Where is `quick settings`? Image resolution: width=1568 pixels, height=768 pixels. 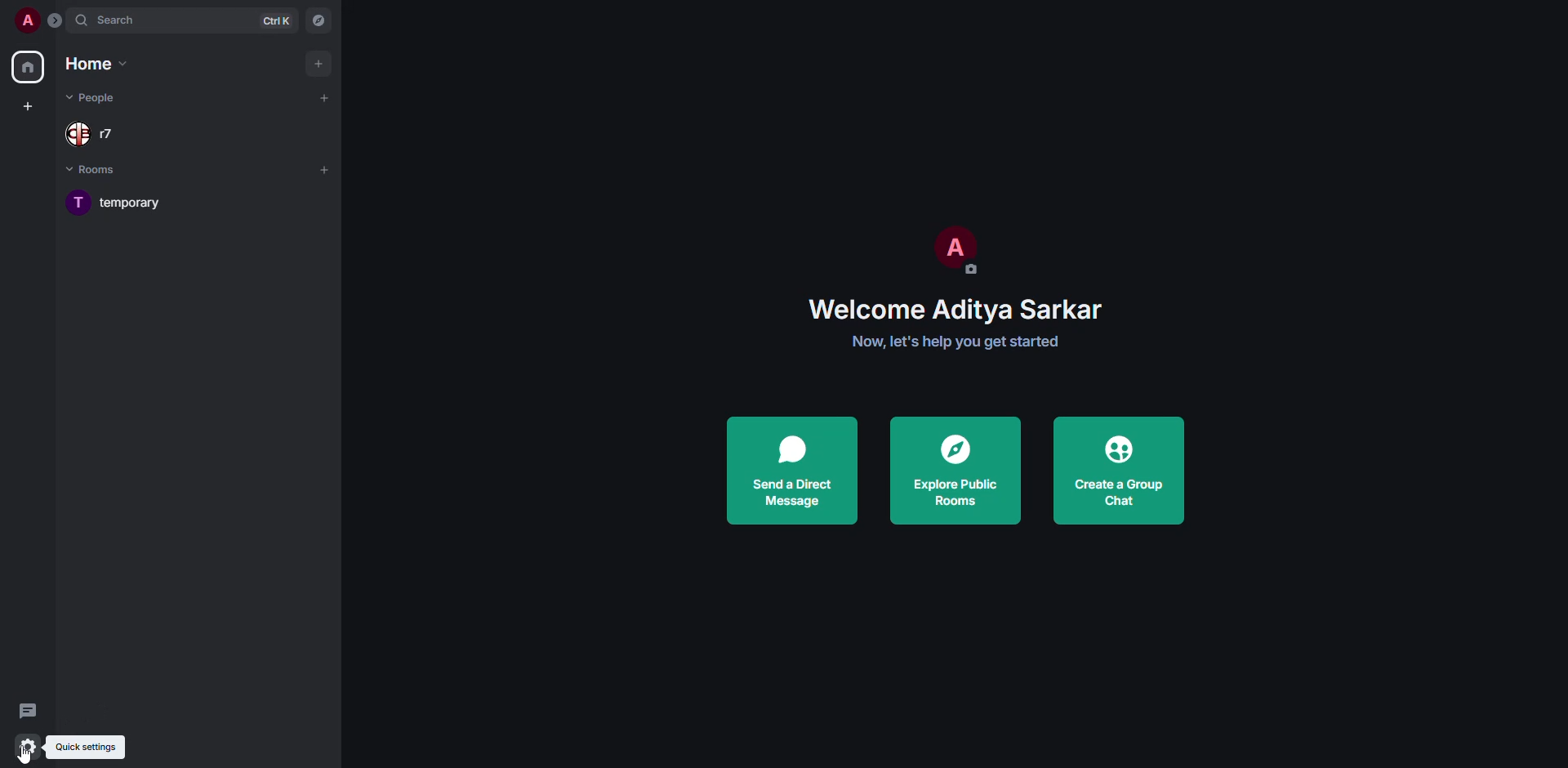 quick settings is located at coordinates (31, 744).